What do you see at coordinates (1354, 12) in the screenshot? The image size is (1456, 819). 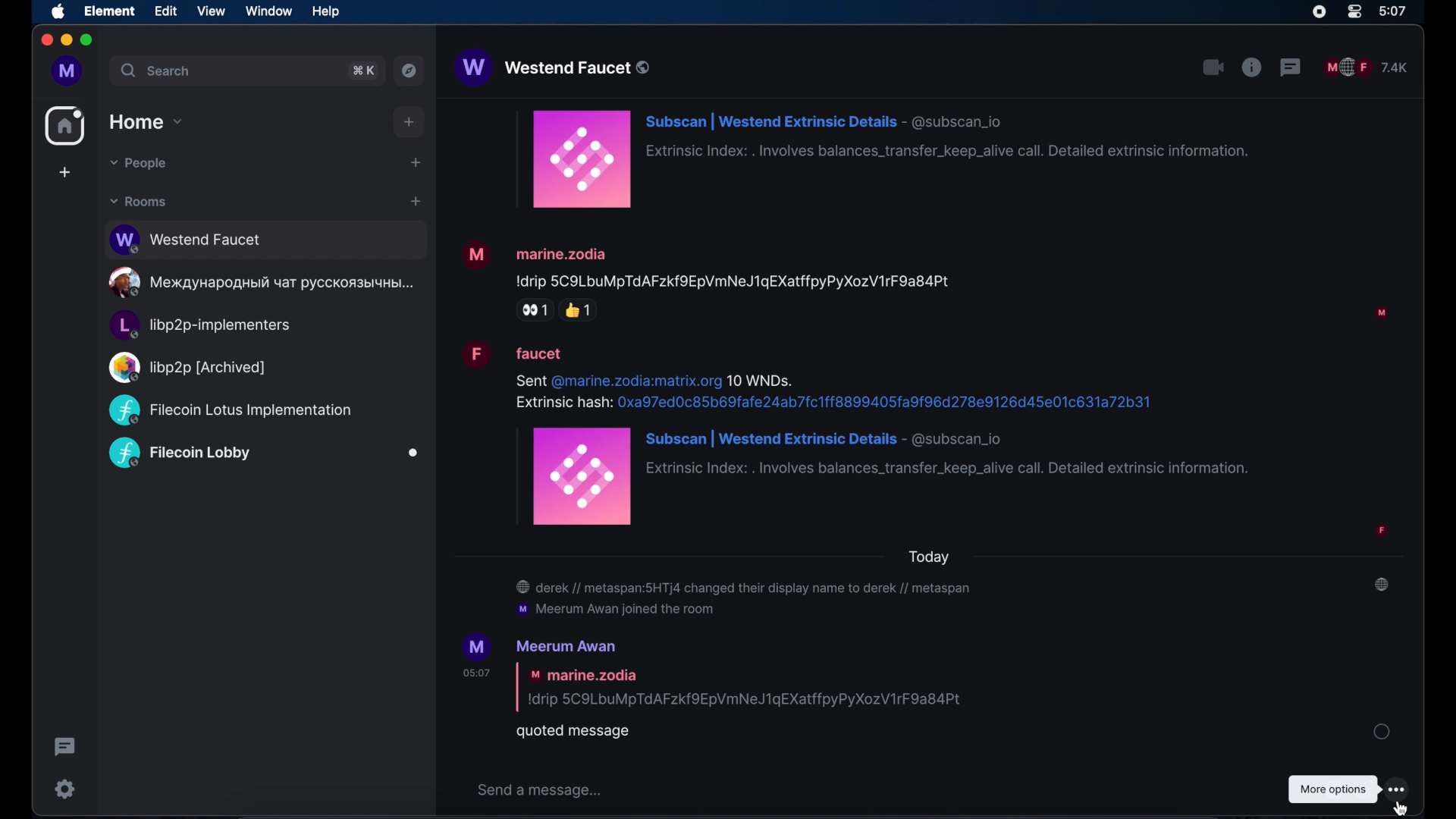 I see `control center` at bounding box center [1354, 12].